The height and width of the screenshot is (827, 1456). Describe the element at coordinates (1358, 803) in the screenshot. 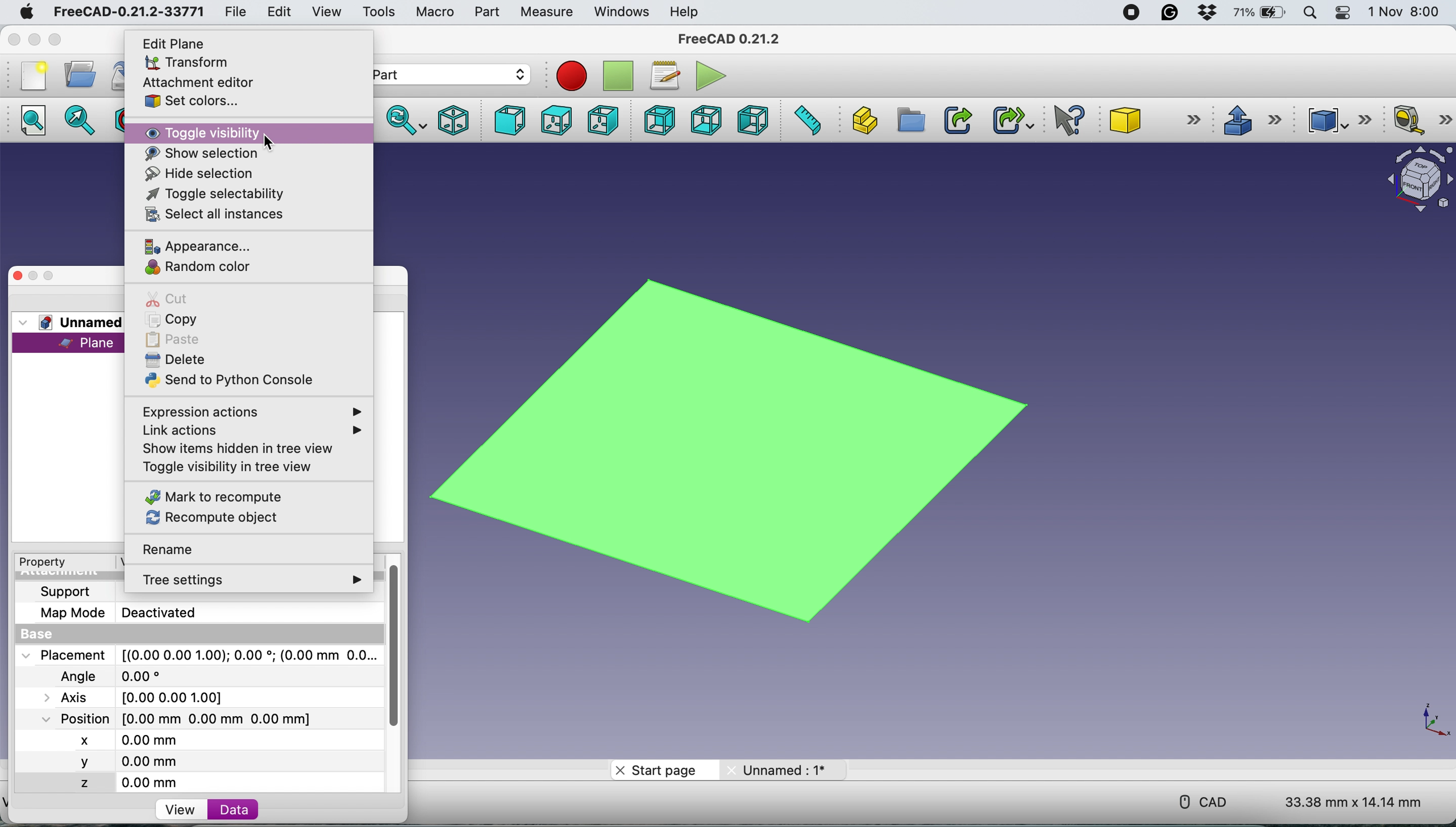

I see `33.38 mm x 14.14 mm` at that location.